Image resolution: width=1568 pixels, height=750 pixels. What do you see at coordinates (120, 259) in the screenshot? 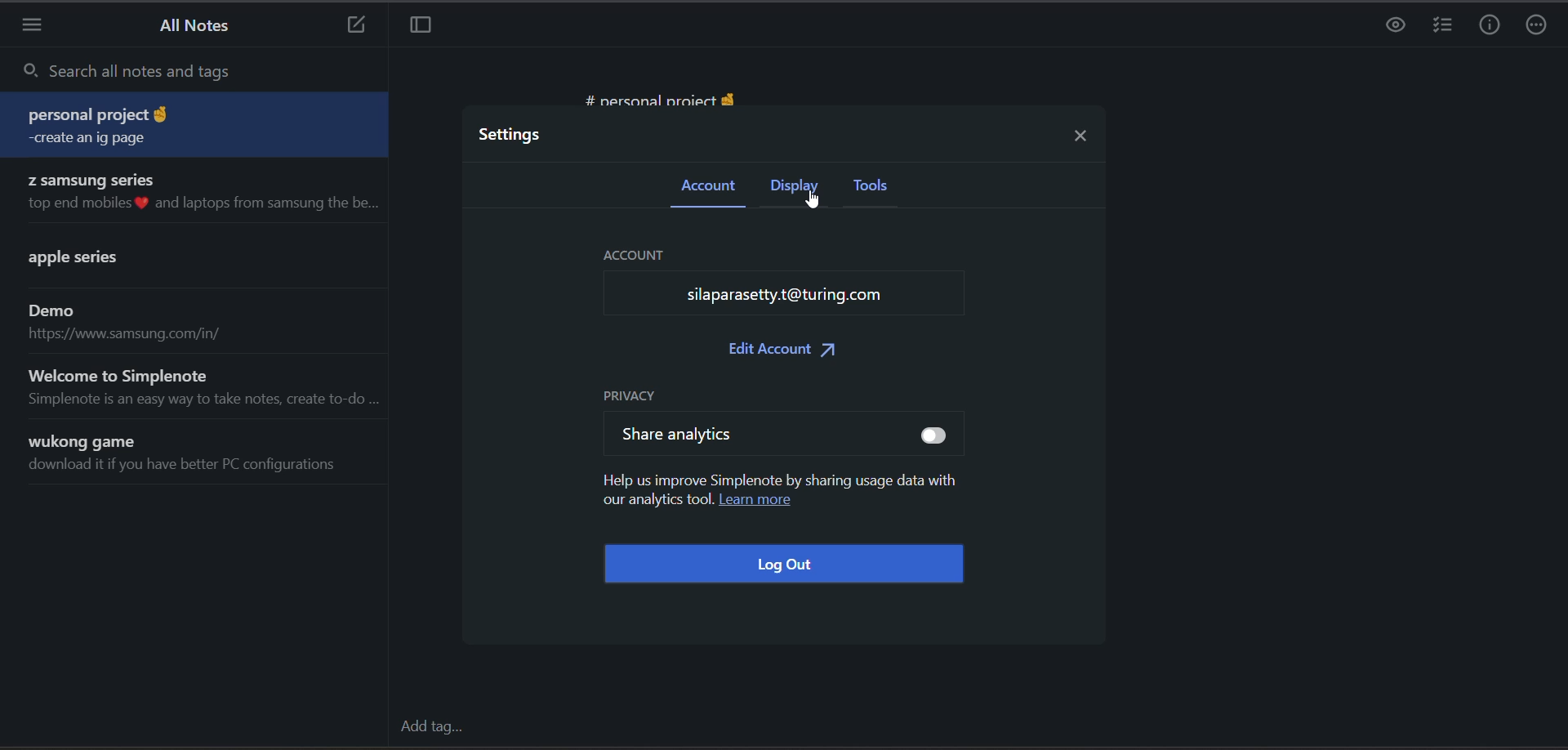
I see `note title and preview` at bounding box center [120, 259].